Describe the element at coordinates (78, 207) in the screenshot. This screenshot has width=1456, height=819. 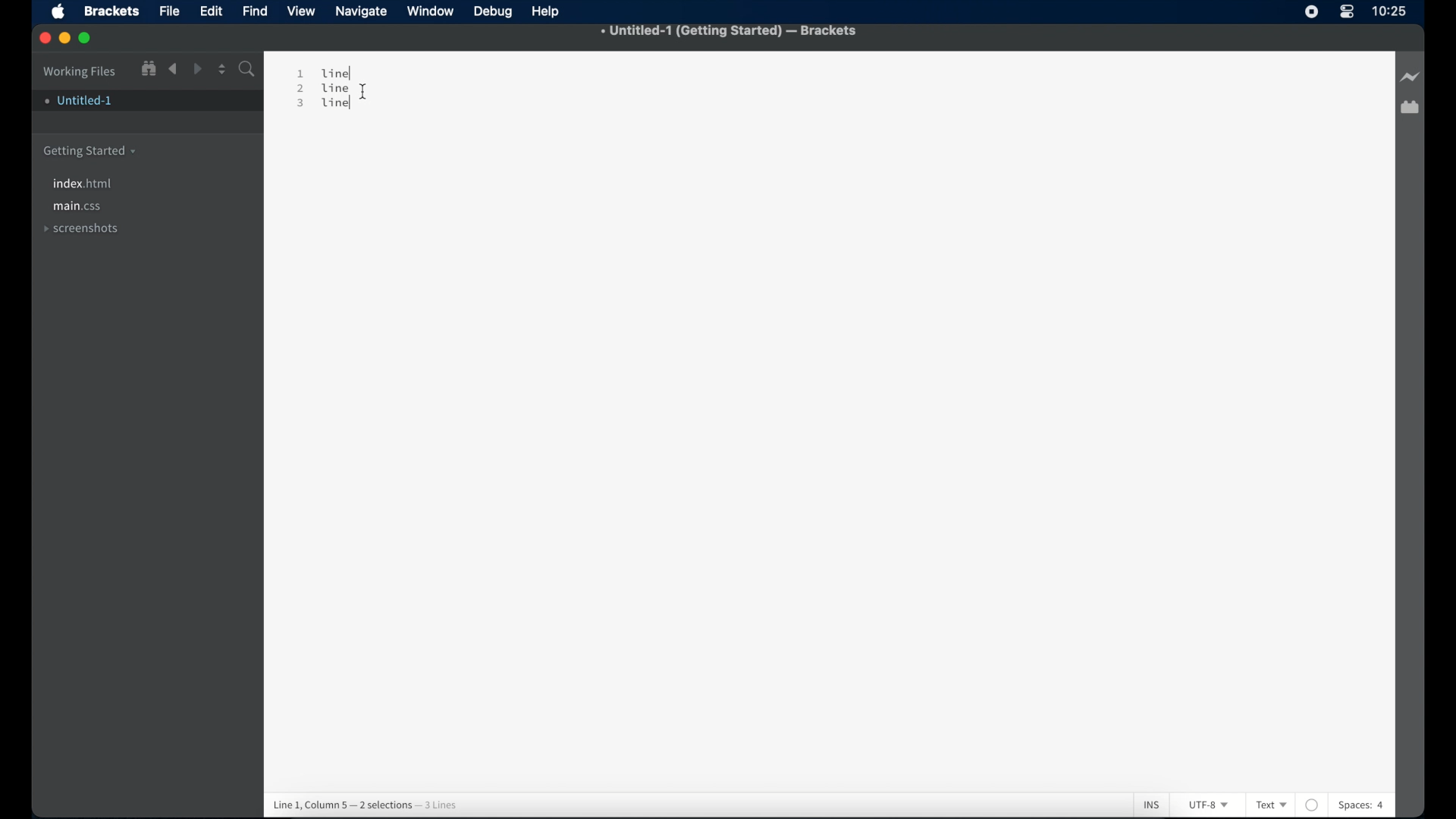
I see `main.css` at that location.